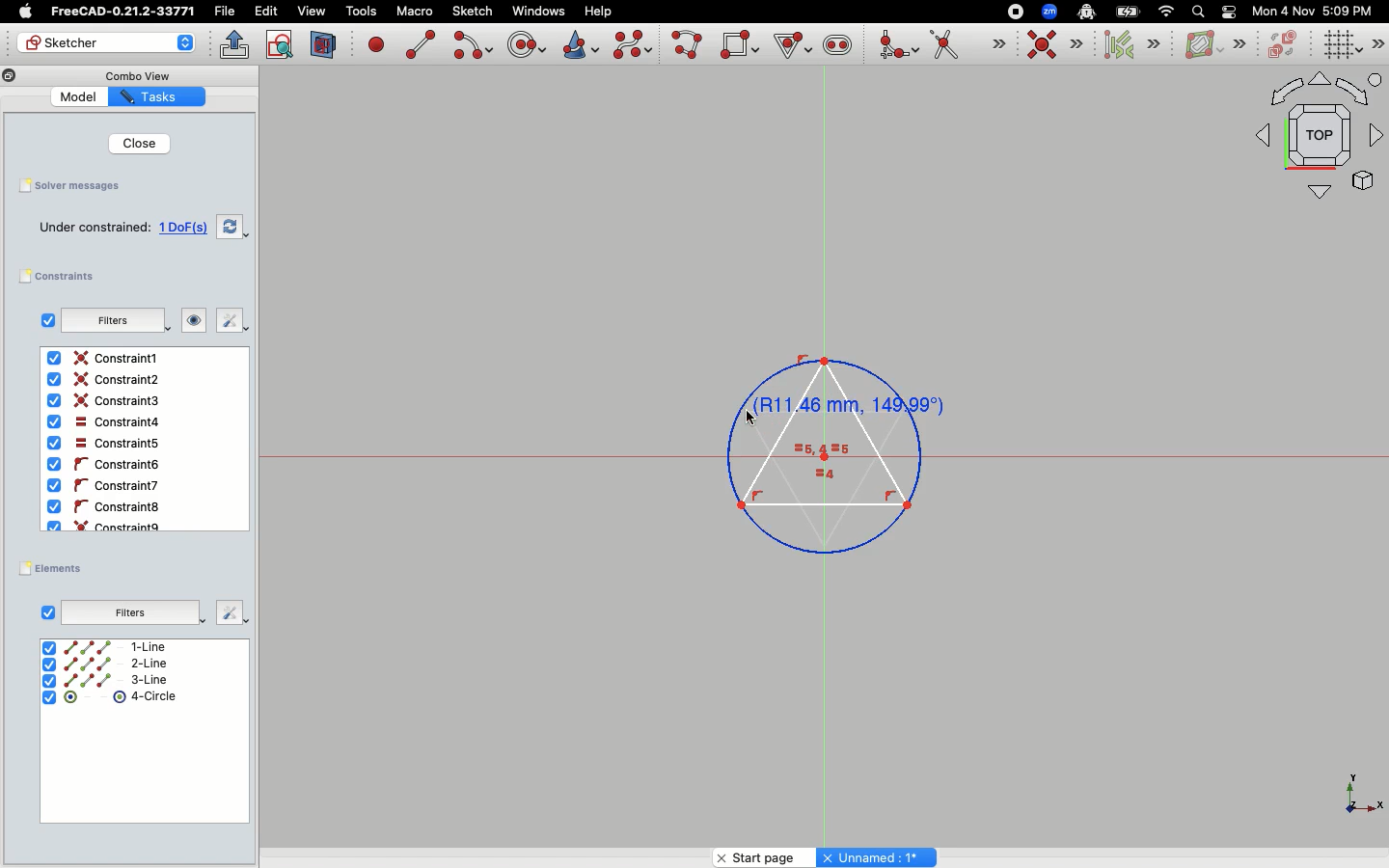  Describe the element at coordinates (740, 44) in the screenshot. I see `Create rectangle` at that location.